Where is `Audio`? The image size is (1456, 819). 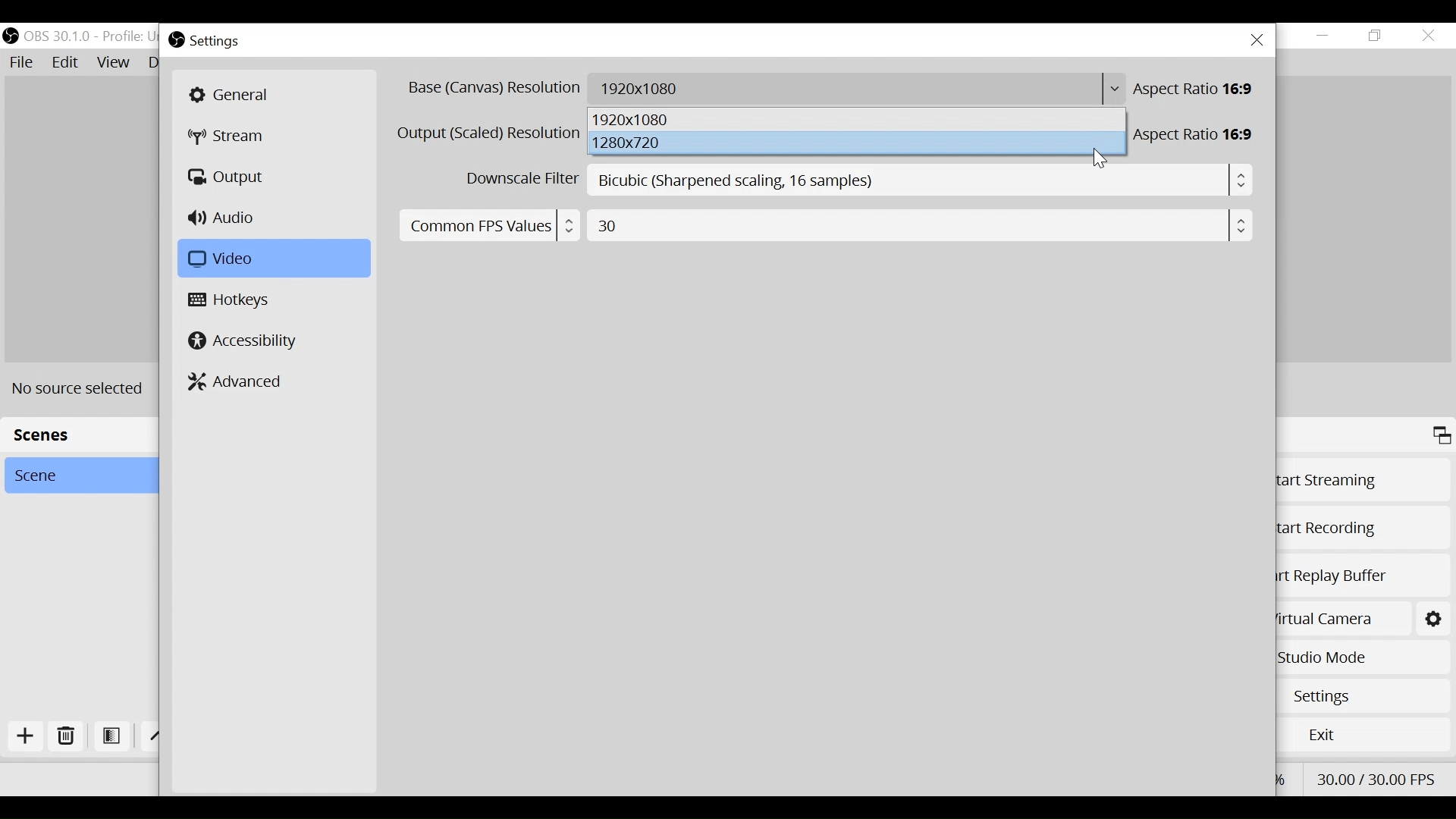
Audio is located at coordinates (225, 219).